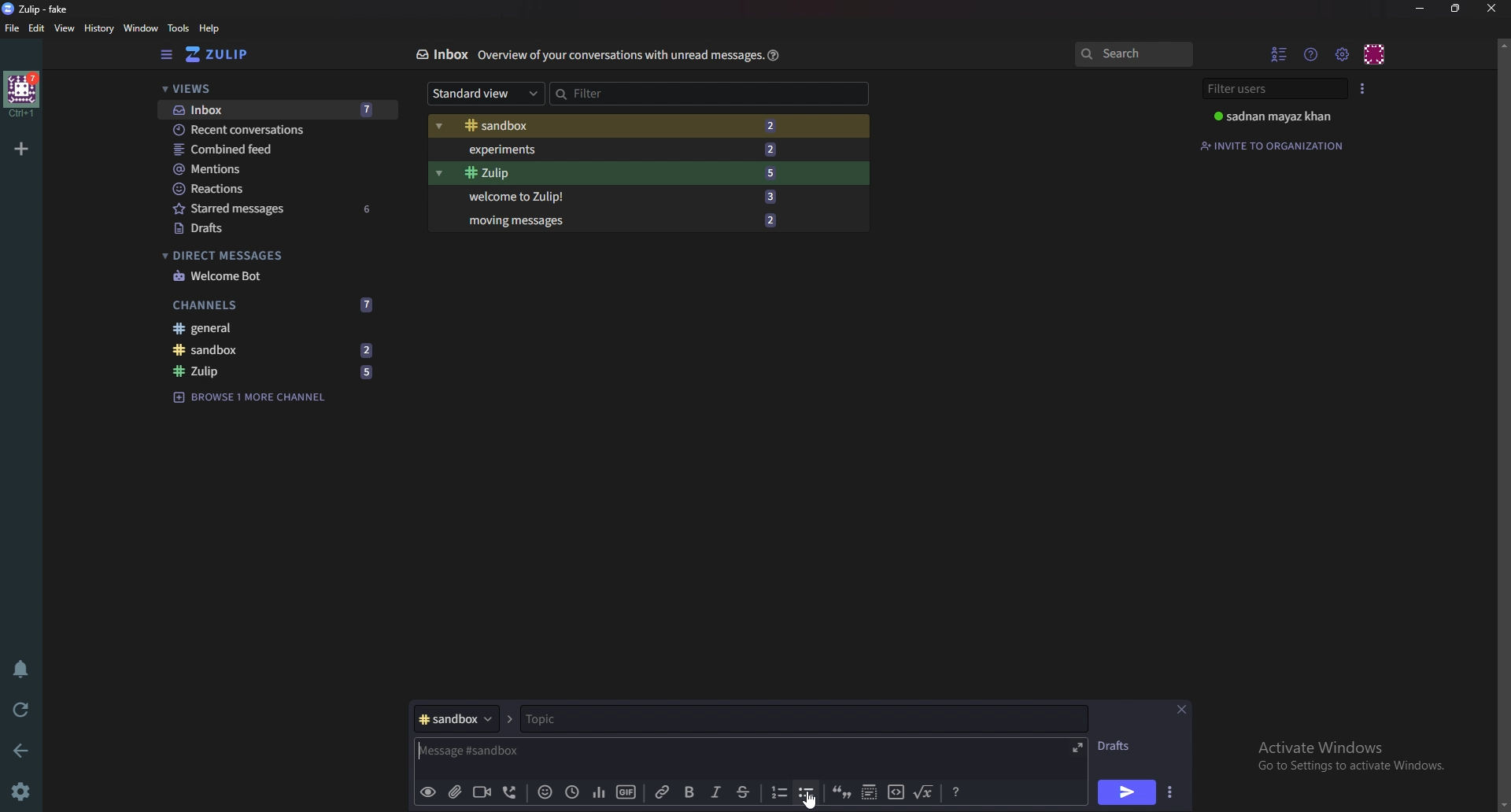 The height and width of the screenshot is (812, 1511). I want to click on Mentions, so click(276, 169).